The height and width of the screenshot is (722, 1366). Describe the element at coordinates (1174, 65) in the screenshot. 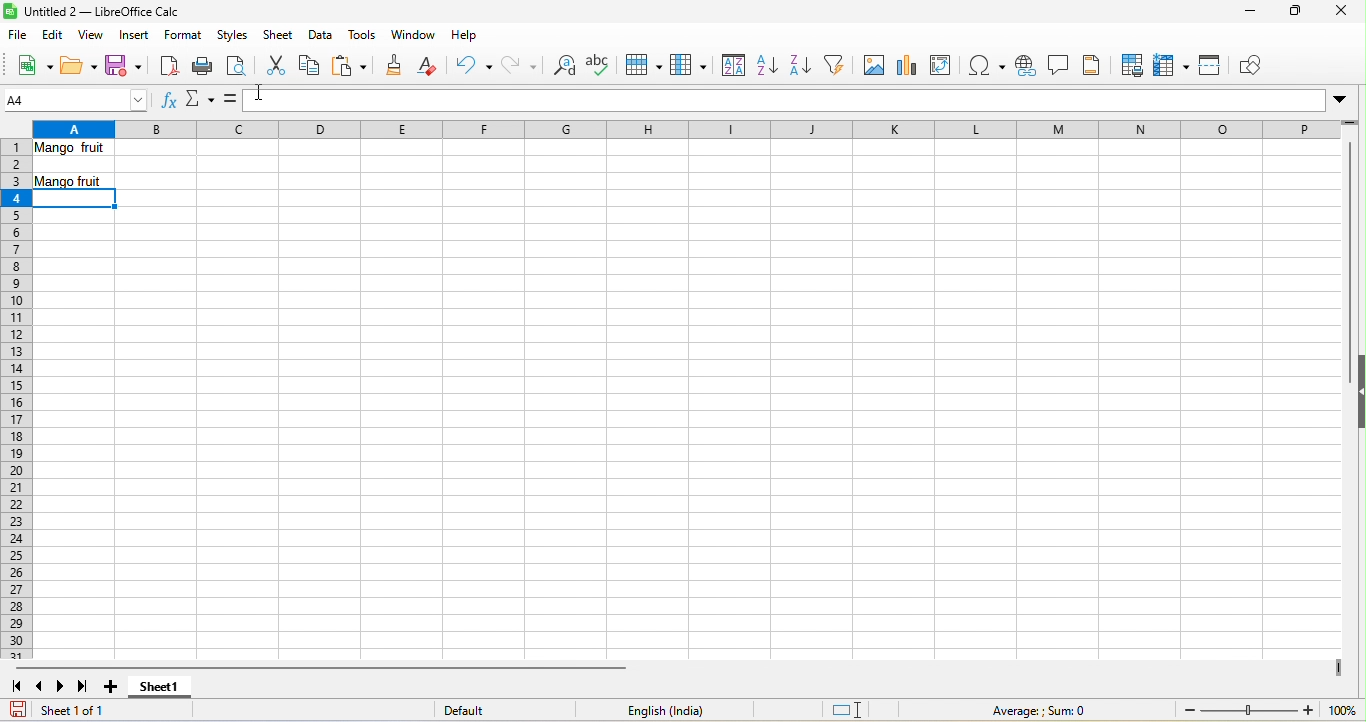

I see `freeze row and column` at that location.